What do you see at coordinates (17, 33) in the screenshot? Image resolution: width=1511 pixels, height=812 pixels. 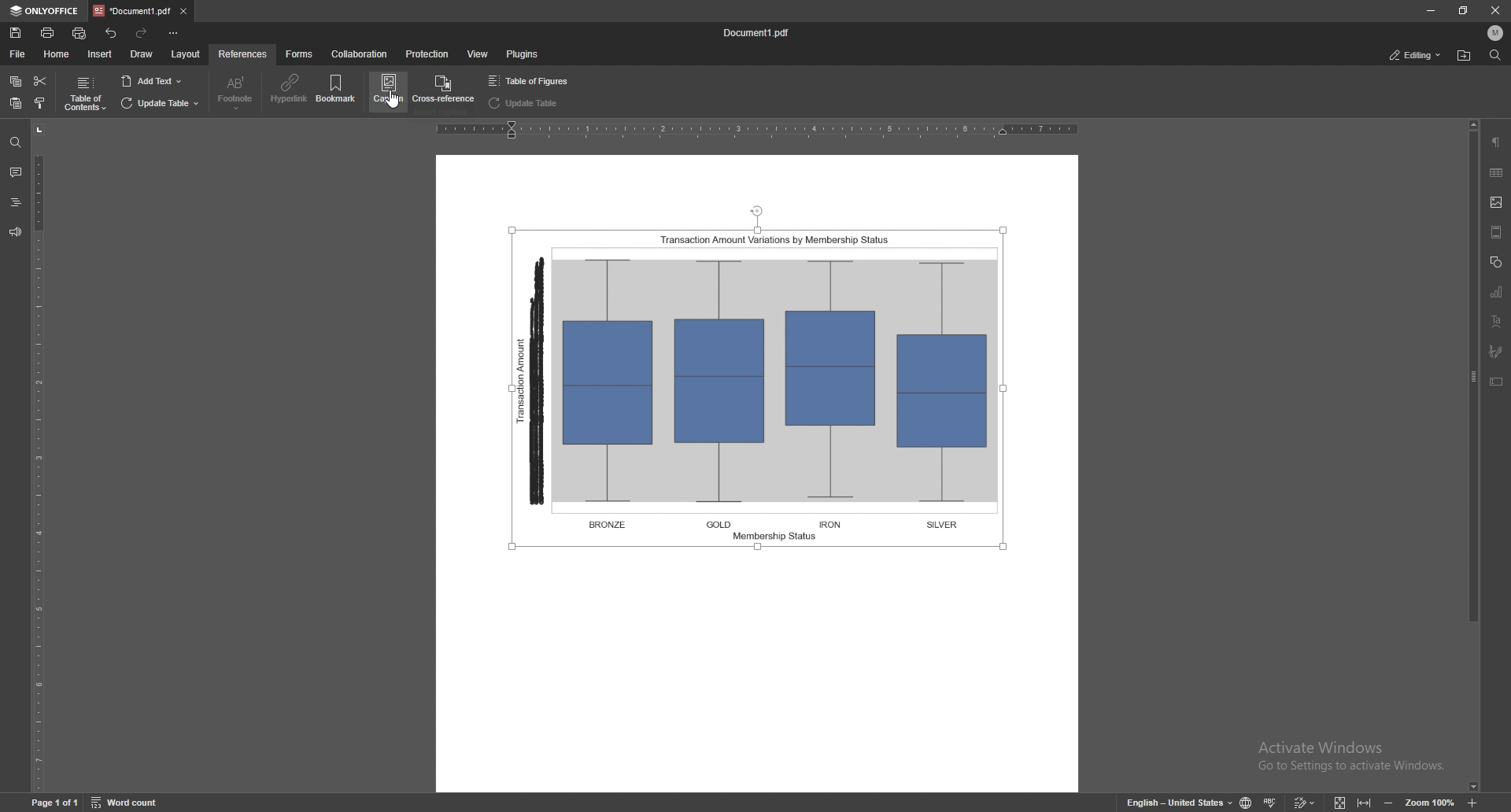 I see `save` at bounding box center [17, 33].